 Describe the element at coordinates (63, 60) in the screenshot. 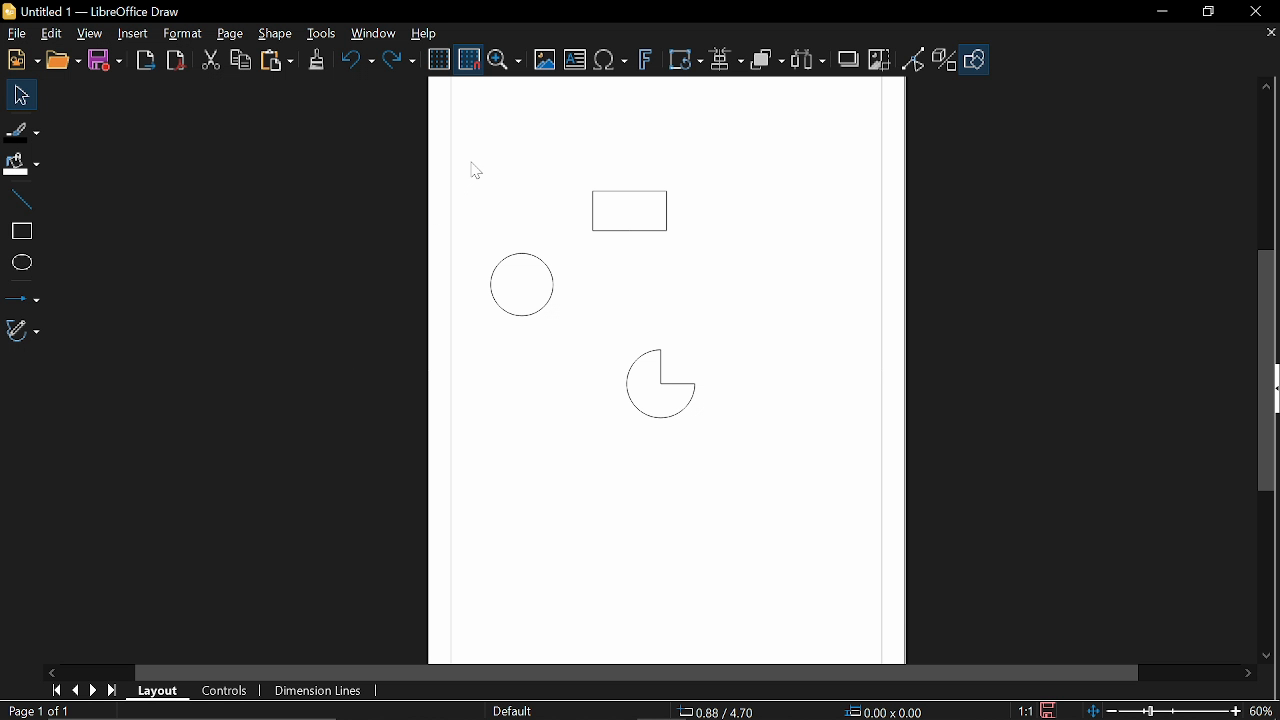

I see `Open` at that location.